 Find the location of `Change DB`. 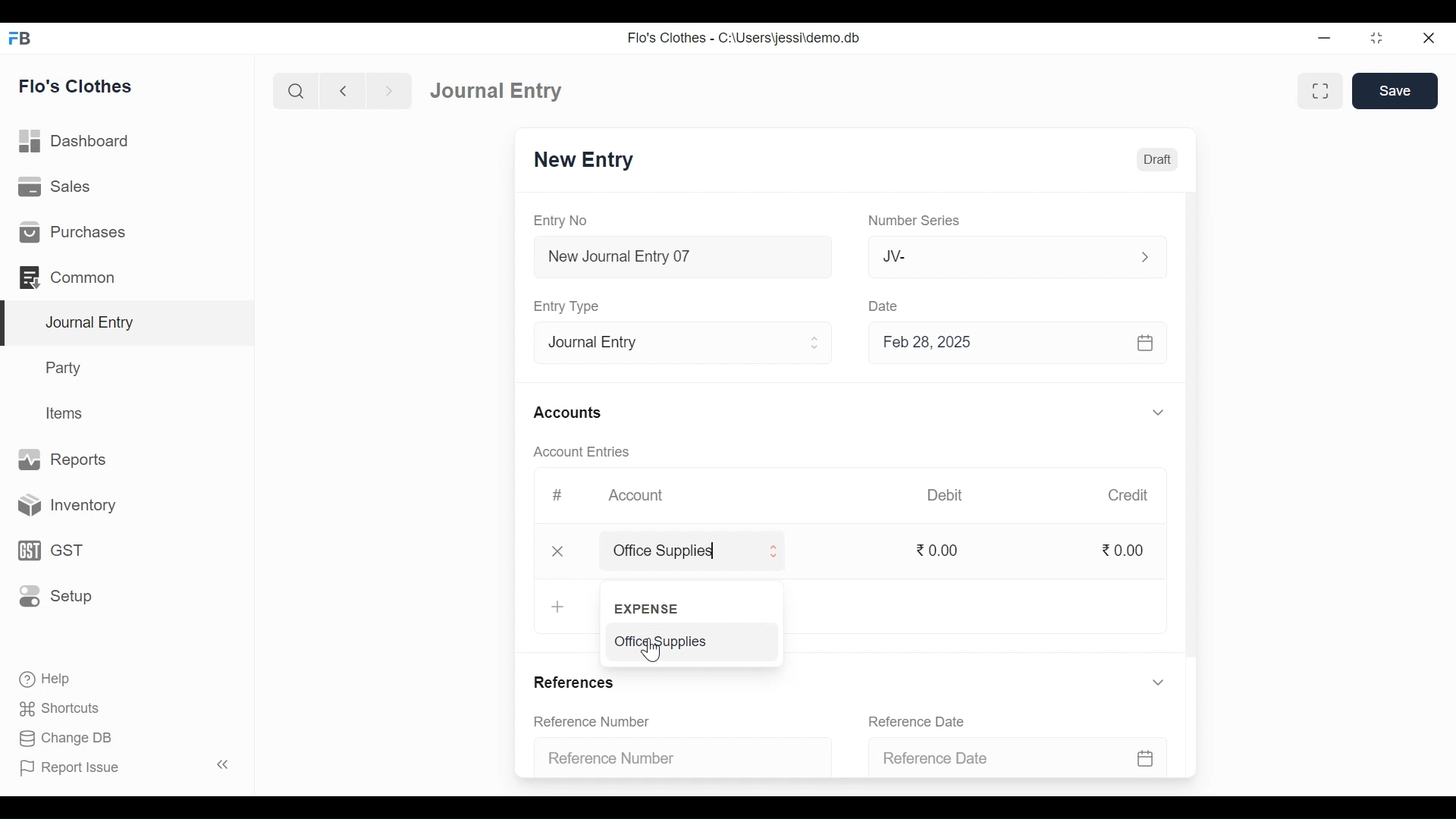

Change DB is located at coordinates (64, 736).